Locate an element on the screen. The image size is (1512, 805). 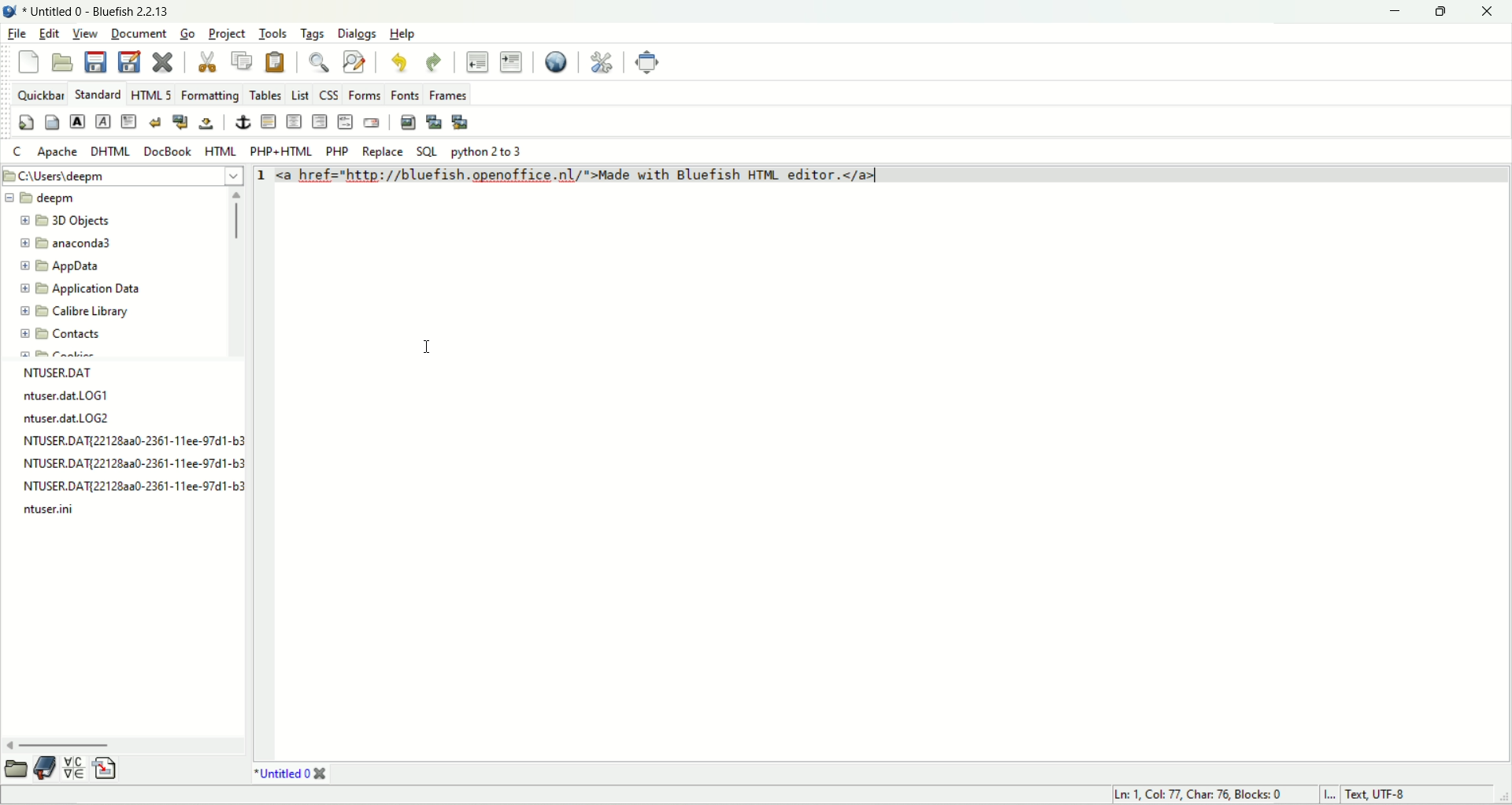
quickstart is located at coordinates (27, 121).